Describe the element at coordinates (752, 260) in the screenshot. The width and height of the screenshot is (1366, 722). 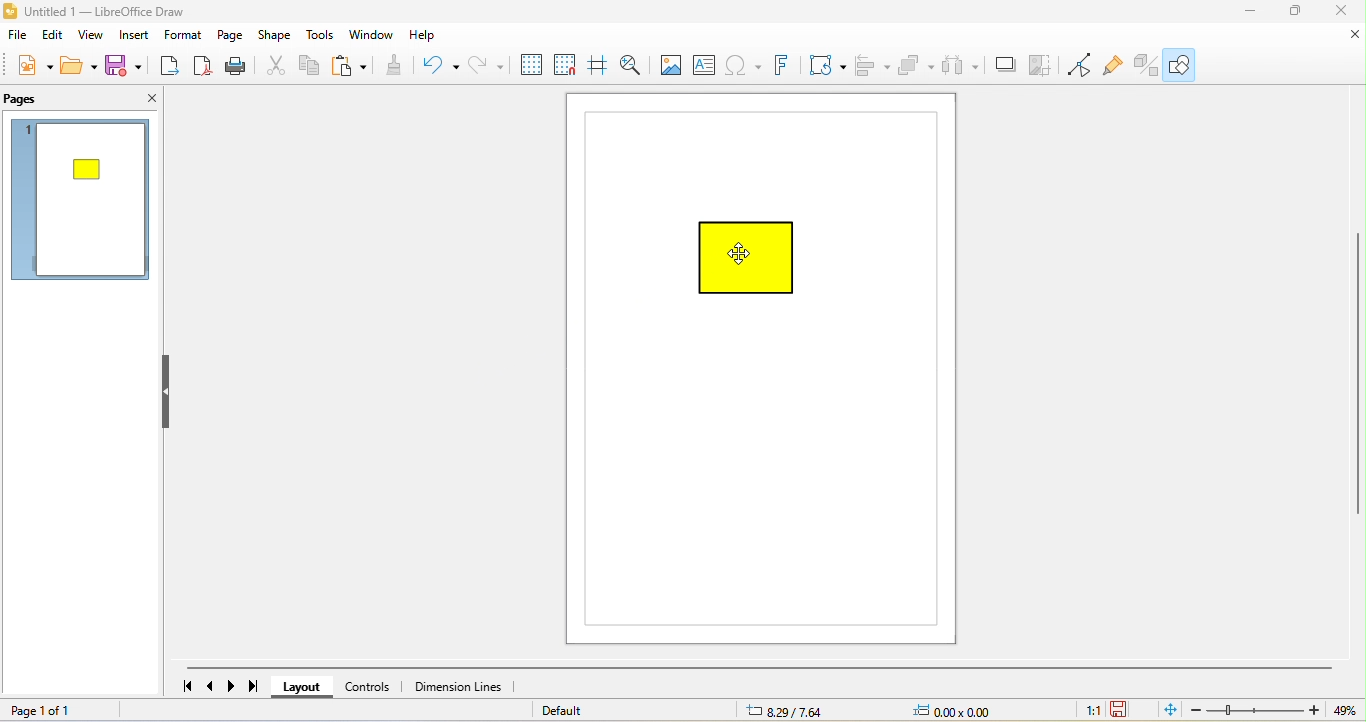
I see `shape` at that location.